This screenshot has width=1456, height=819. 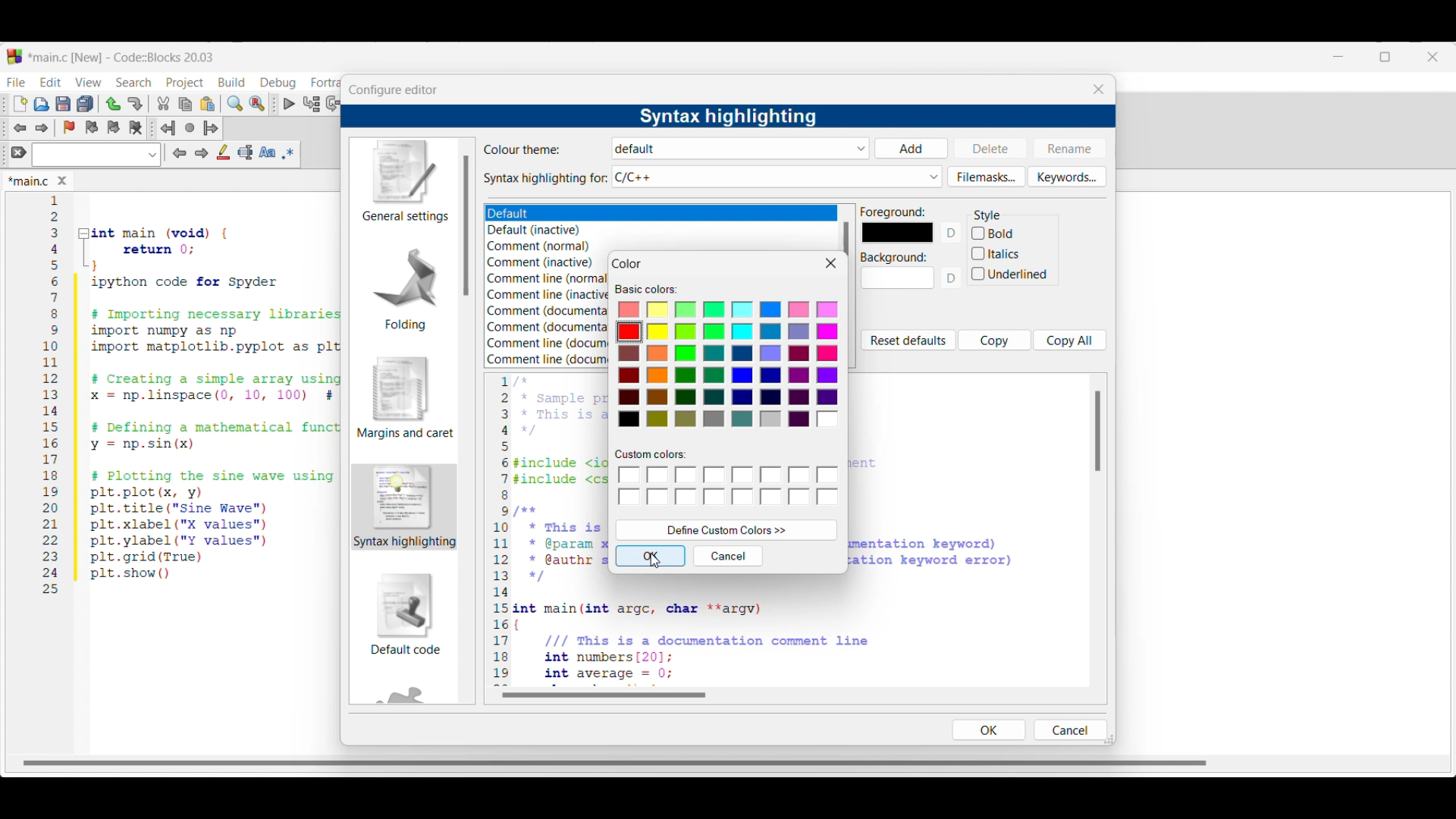 What do you see at coordinates (42, 128) in the screenshot?
I see `Toggle forward` at bounding box center [42, 128].